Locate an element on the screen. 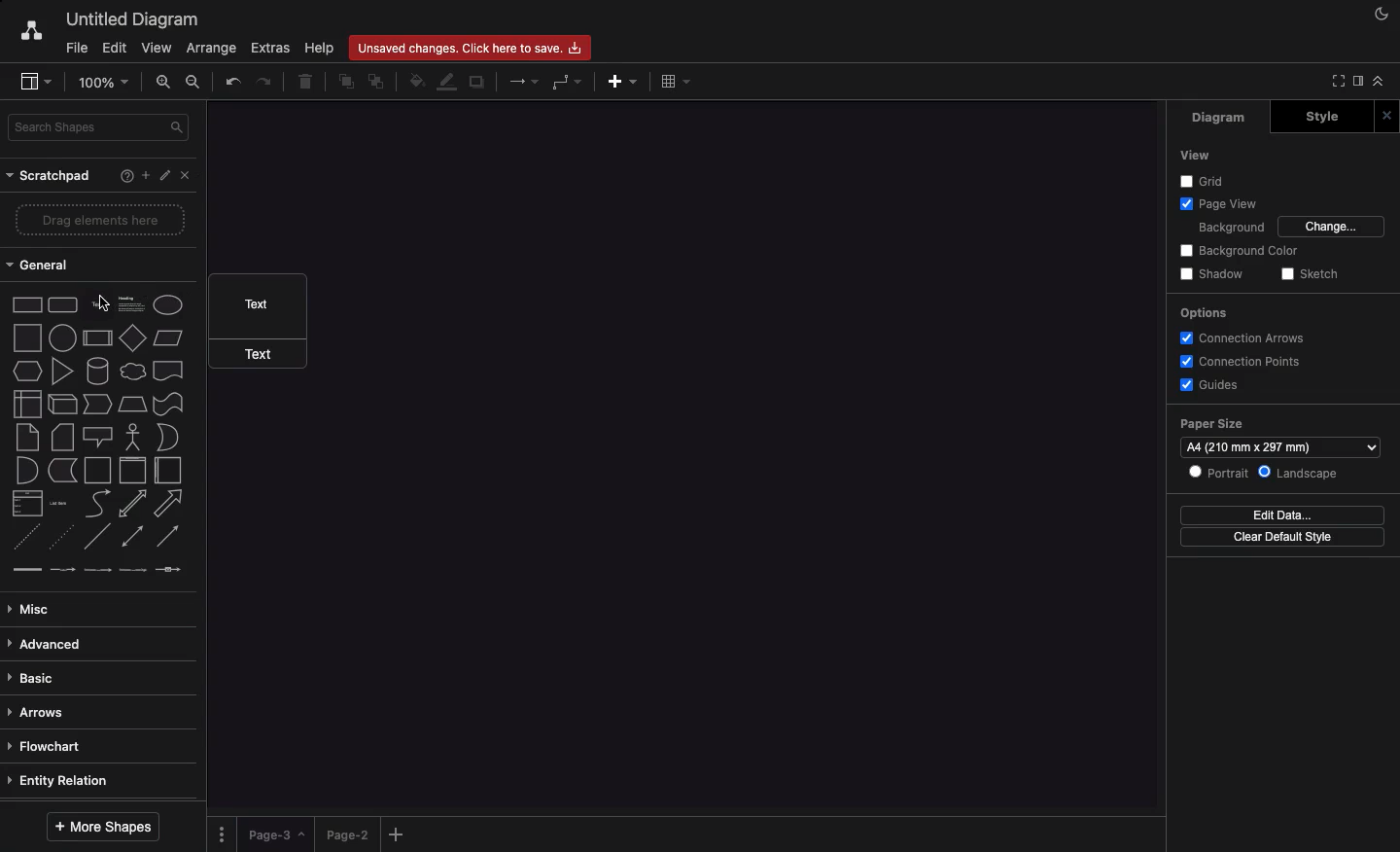  Landscape is located at coordinates (1304, 471).